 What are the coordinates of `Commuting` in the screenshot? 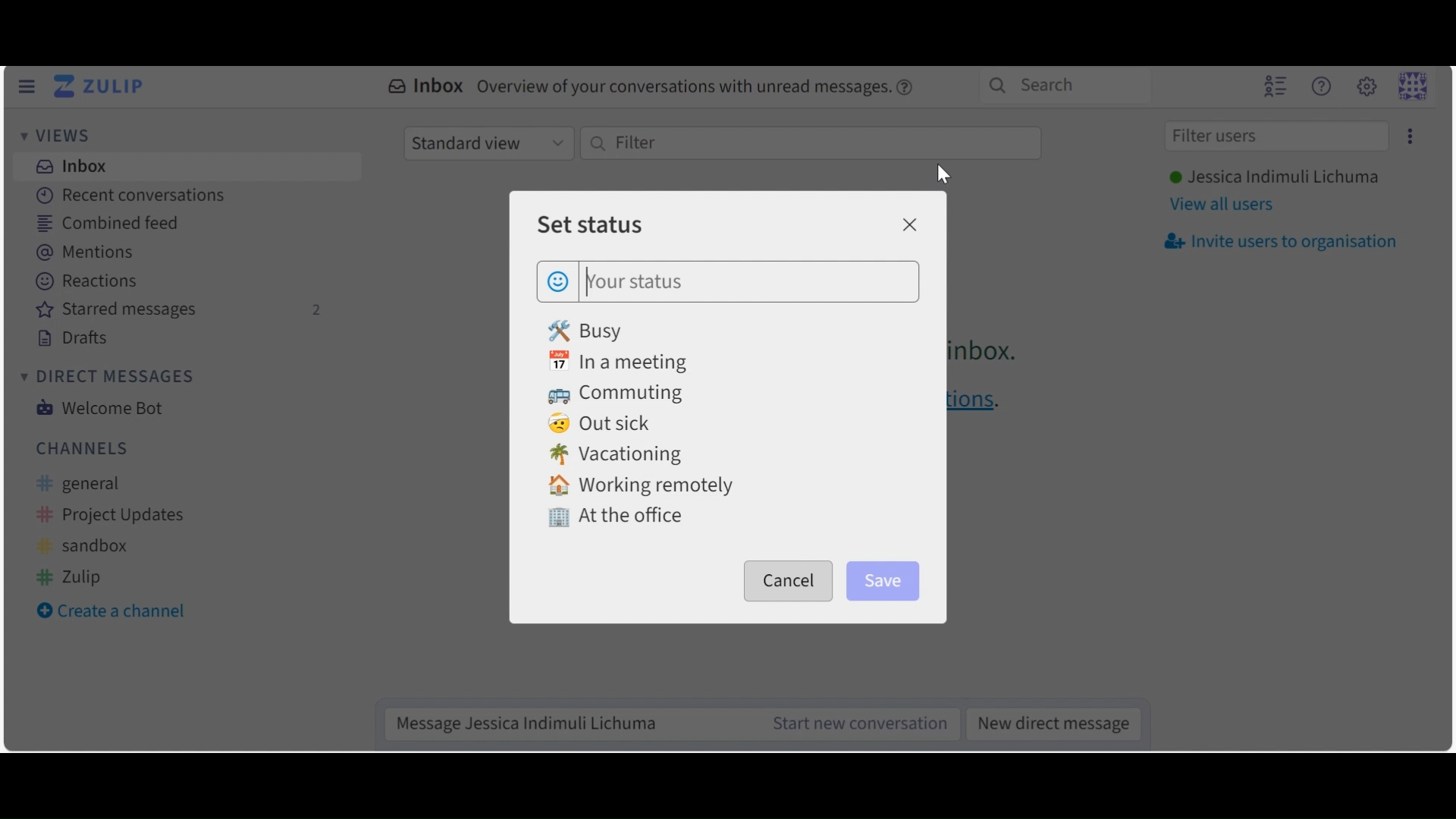 It's located at (622, 395).